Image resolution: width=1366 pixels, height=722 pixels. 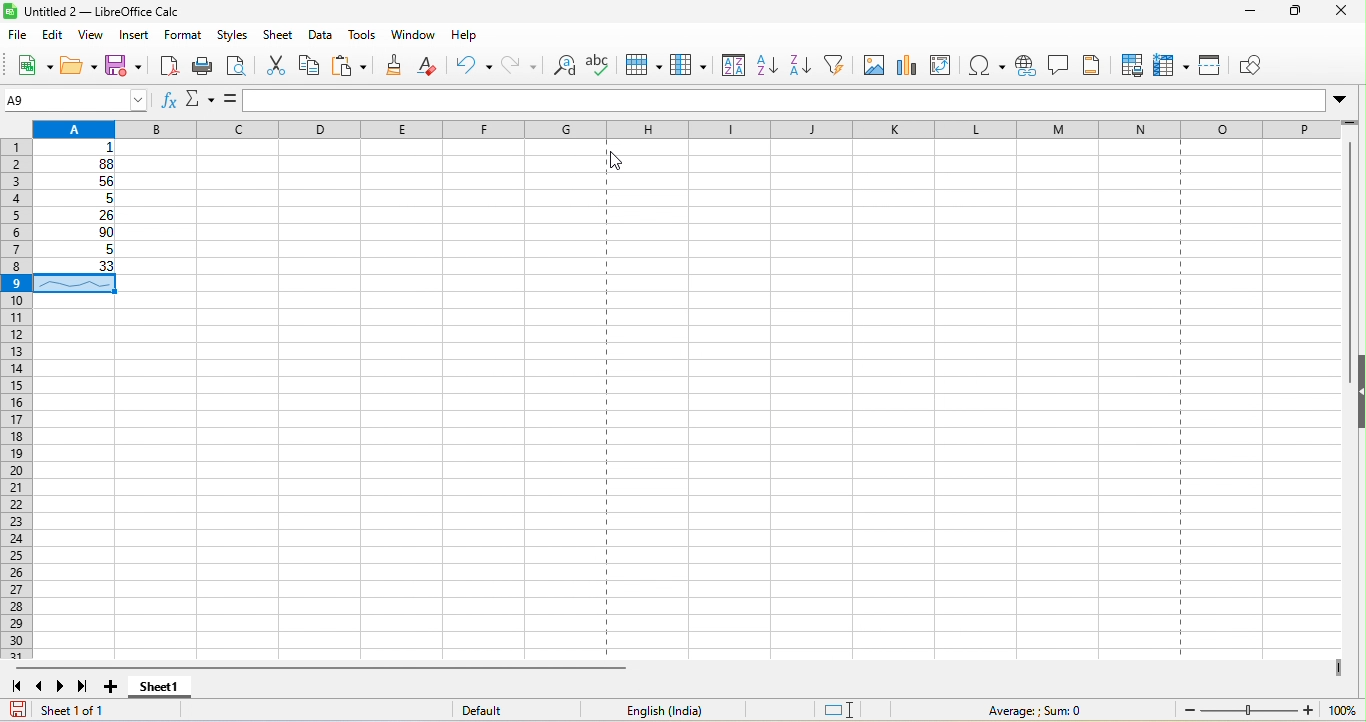 I want to click on view, so click(x=96, y=35).